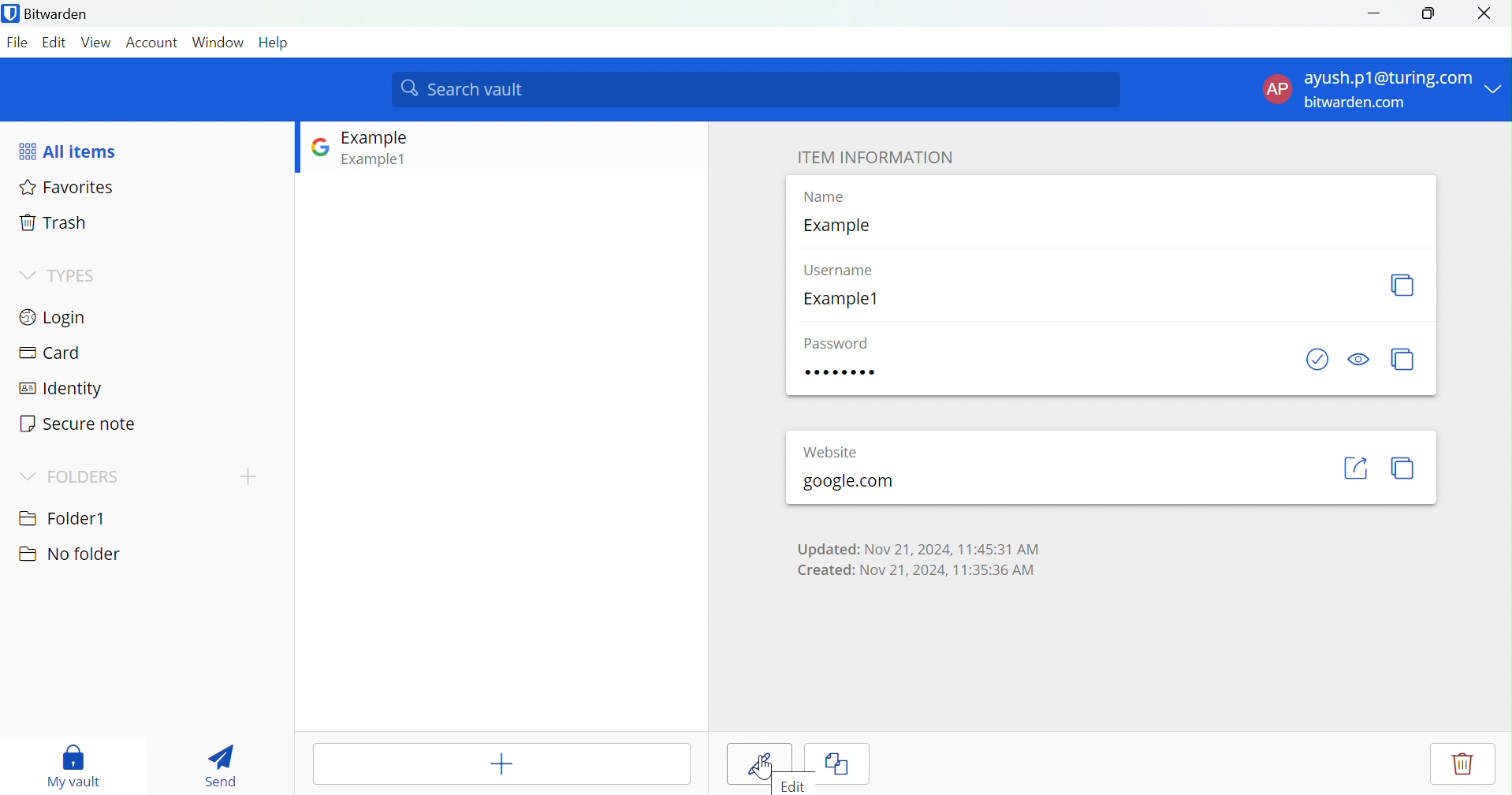  Describe the element at coordinates (851, 766) in the screenshot. I see `Cancel` at that location.